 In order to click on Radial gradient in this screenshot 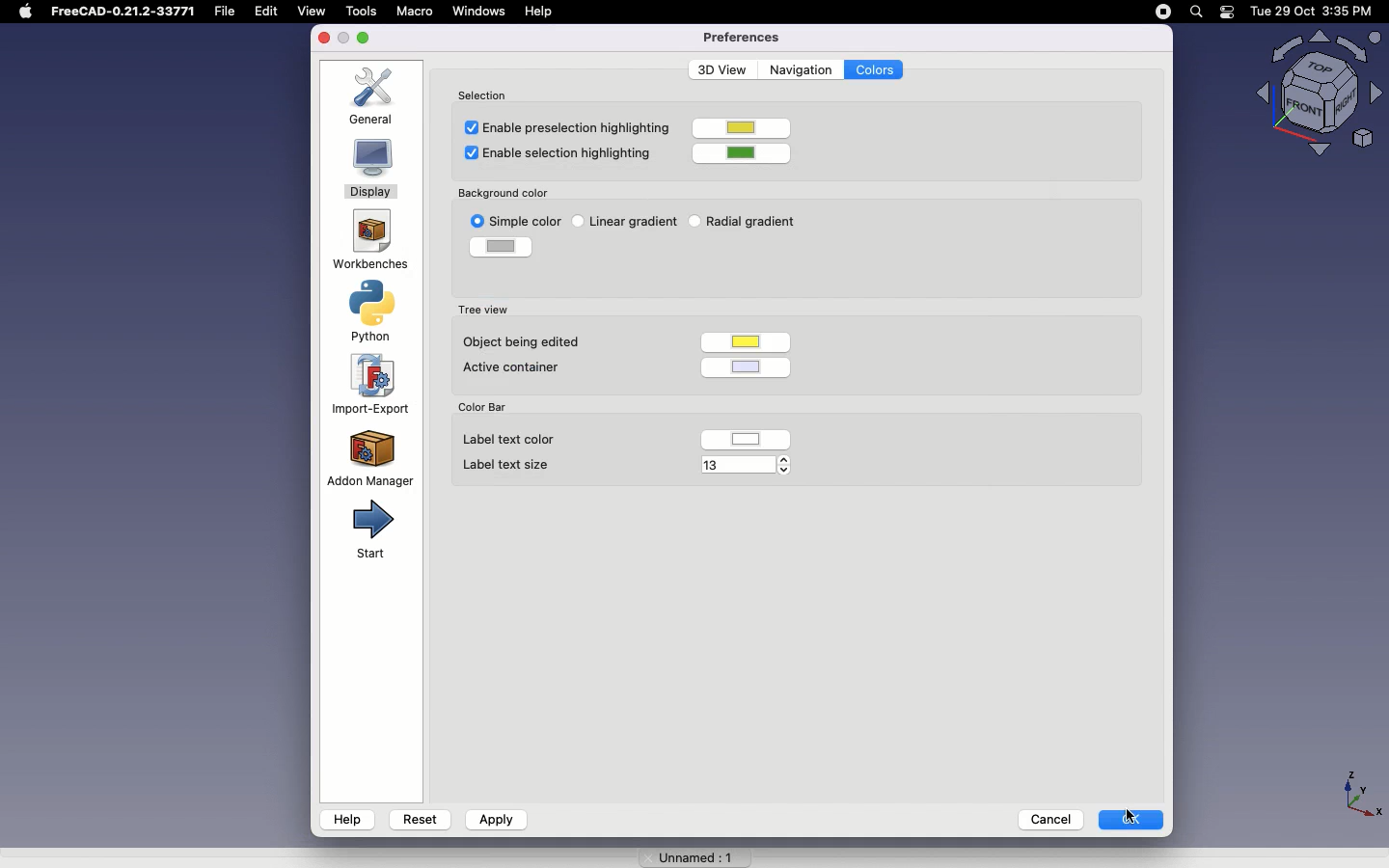, I will do `click(750, 223)`.